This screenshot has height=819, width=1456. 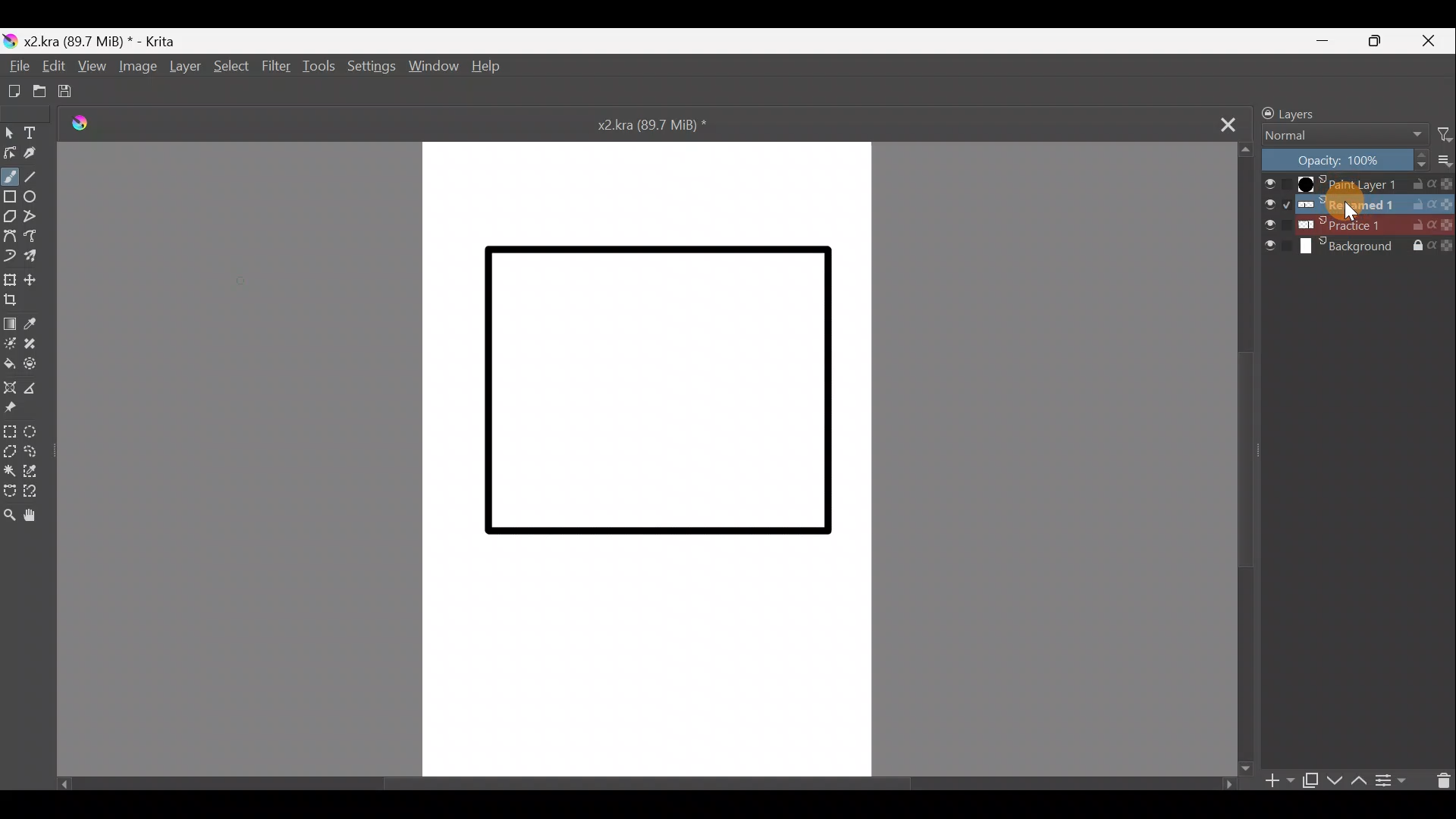 I want to click on Minimize, so click(x=1323, y=42).